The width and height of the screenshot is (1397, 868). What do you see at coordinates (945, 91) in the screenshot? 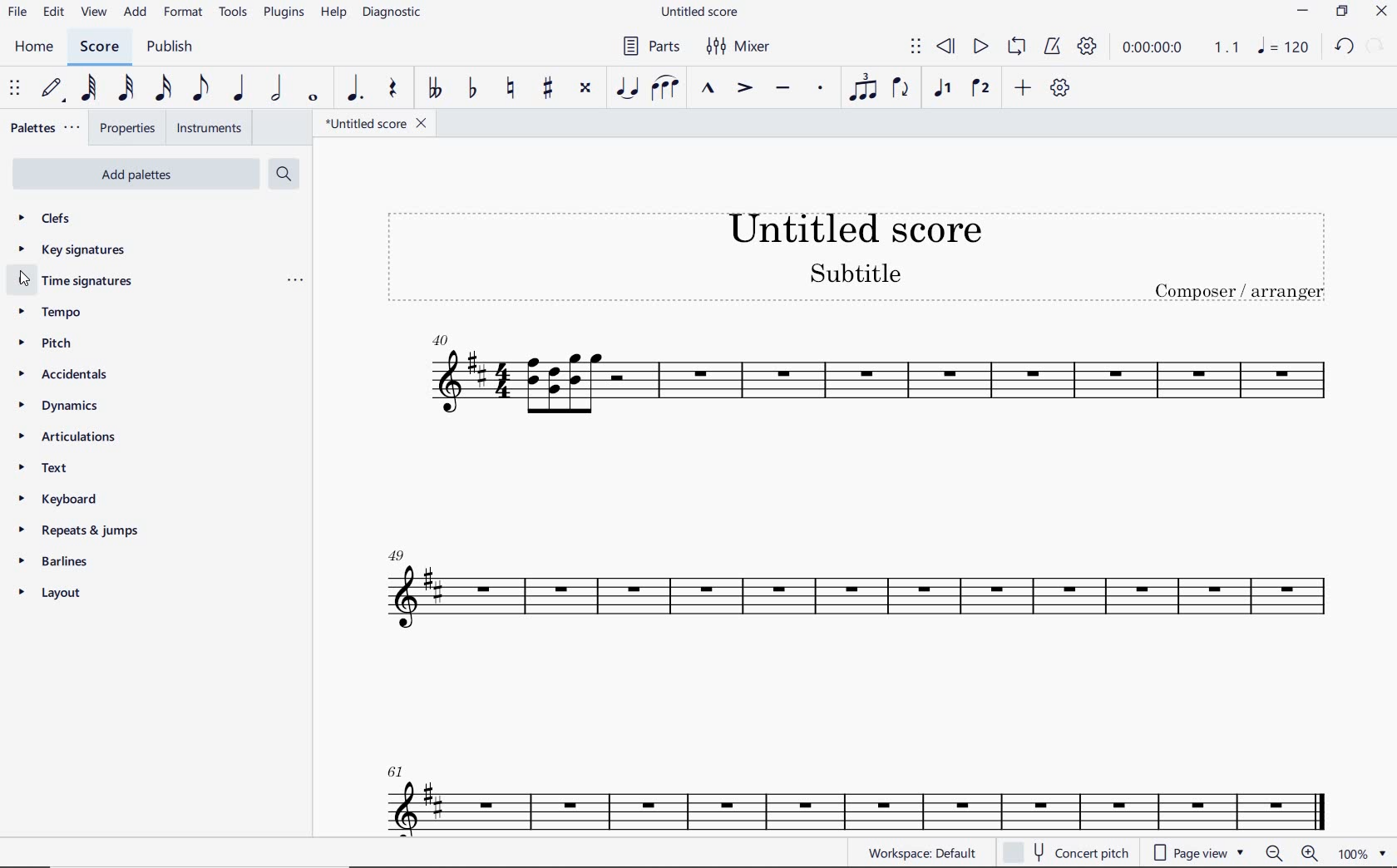
I see `VOICE 1` at bounding box center [945, 91].